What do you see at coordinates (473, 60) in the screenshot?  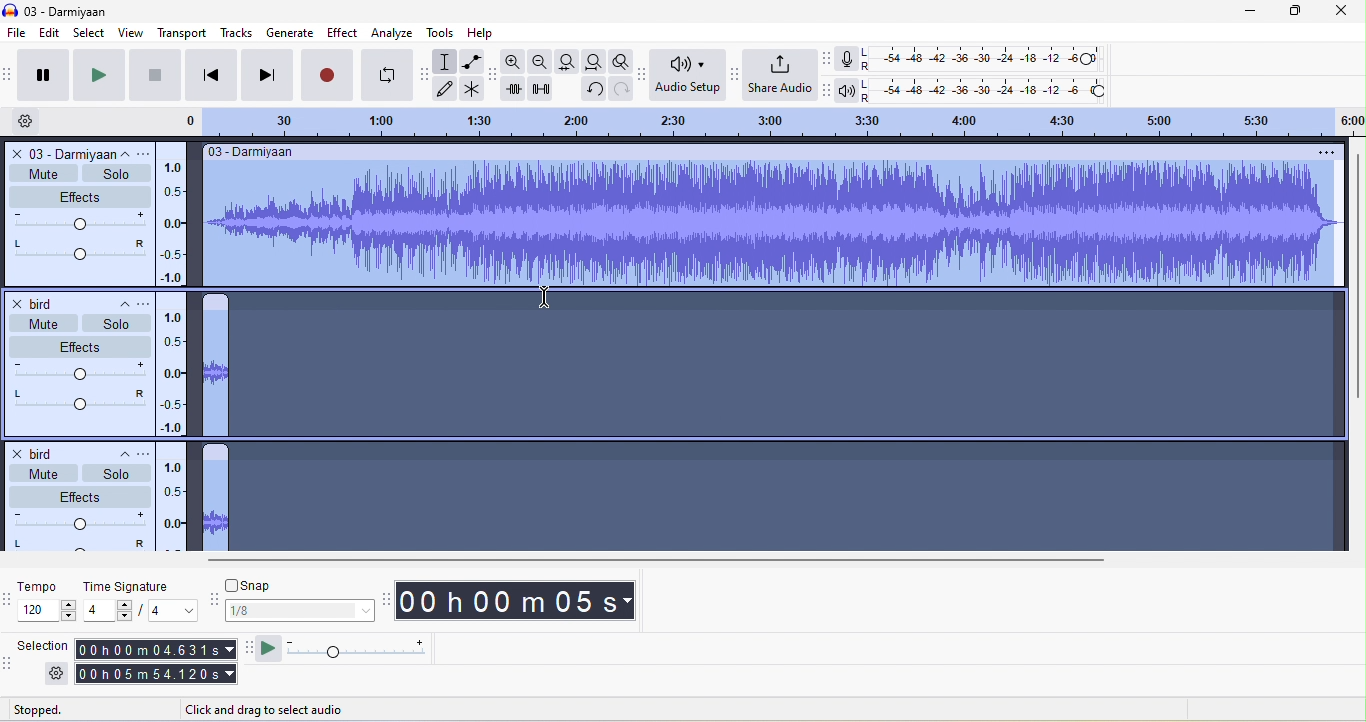 I see `envelope tool` at bounding box center [473, 60].